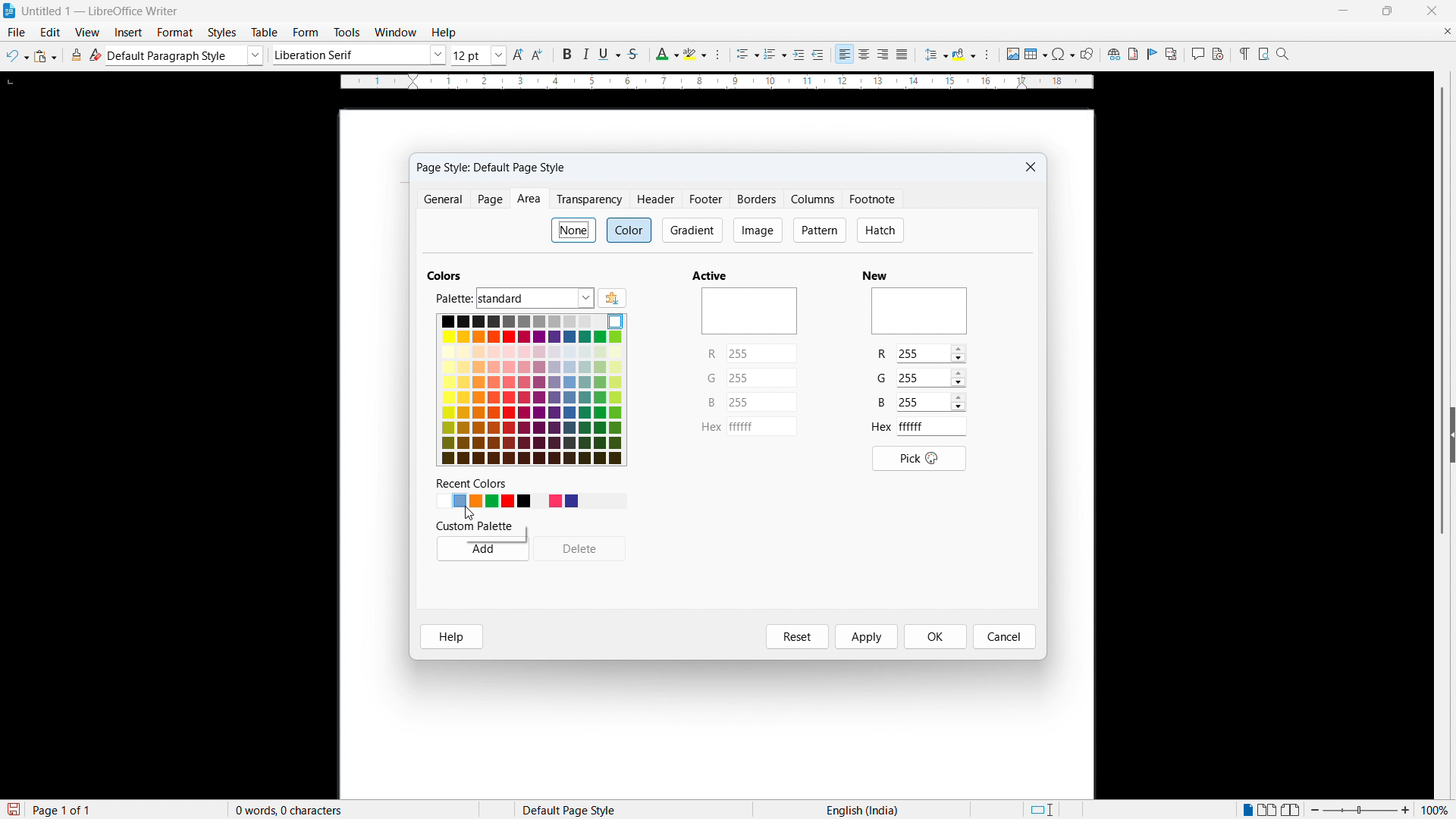 The image size is (1456, 819). What do you see at coordinates (883, 55) in the screenshot?
I see `align right ` at bounding box center [883, 55].